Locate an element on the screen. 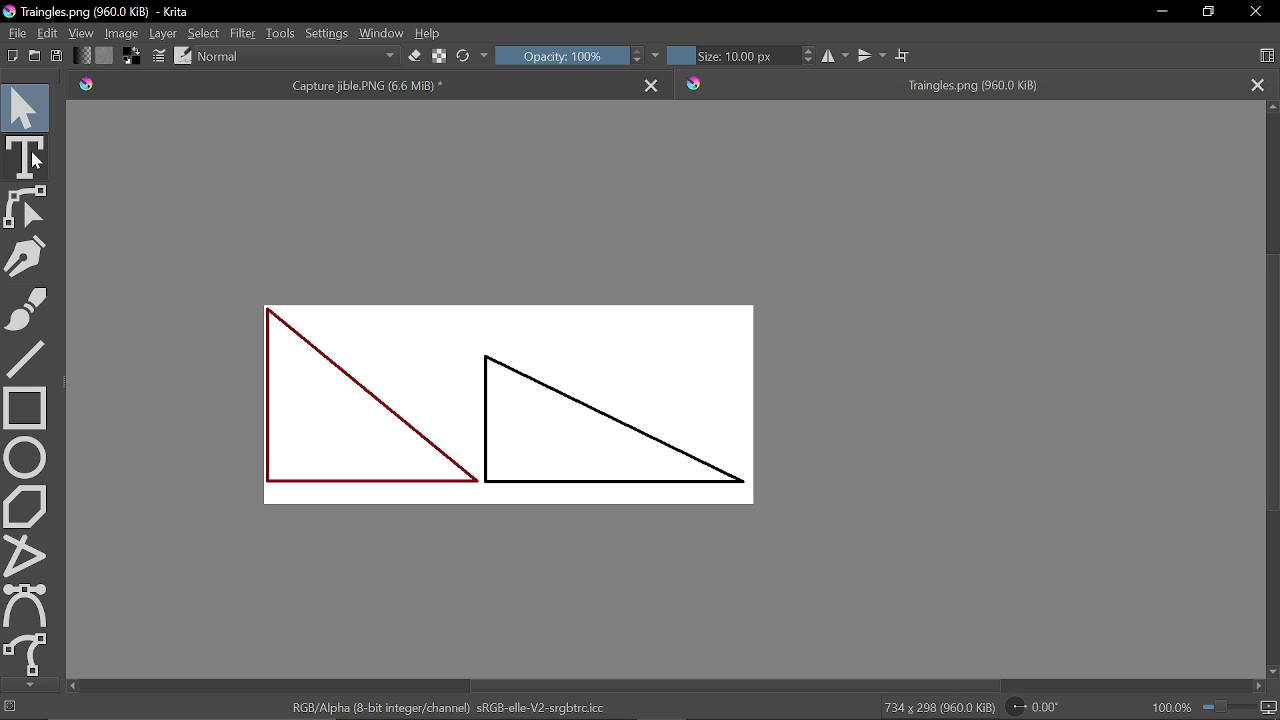  Layer is located at coordinates (163, 34).